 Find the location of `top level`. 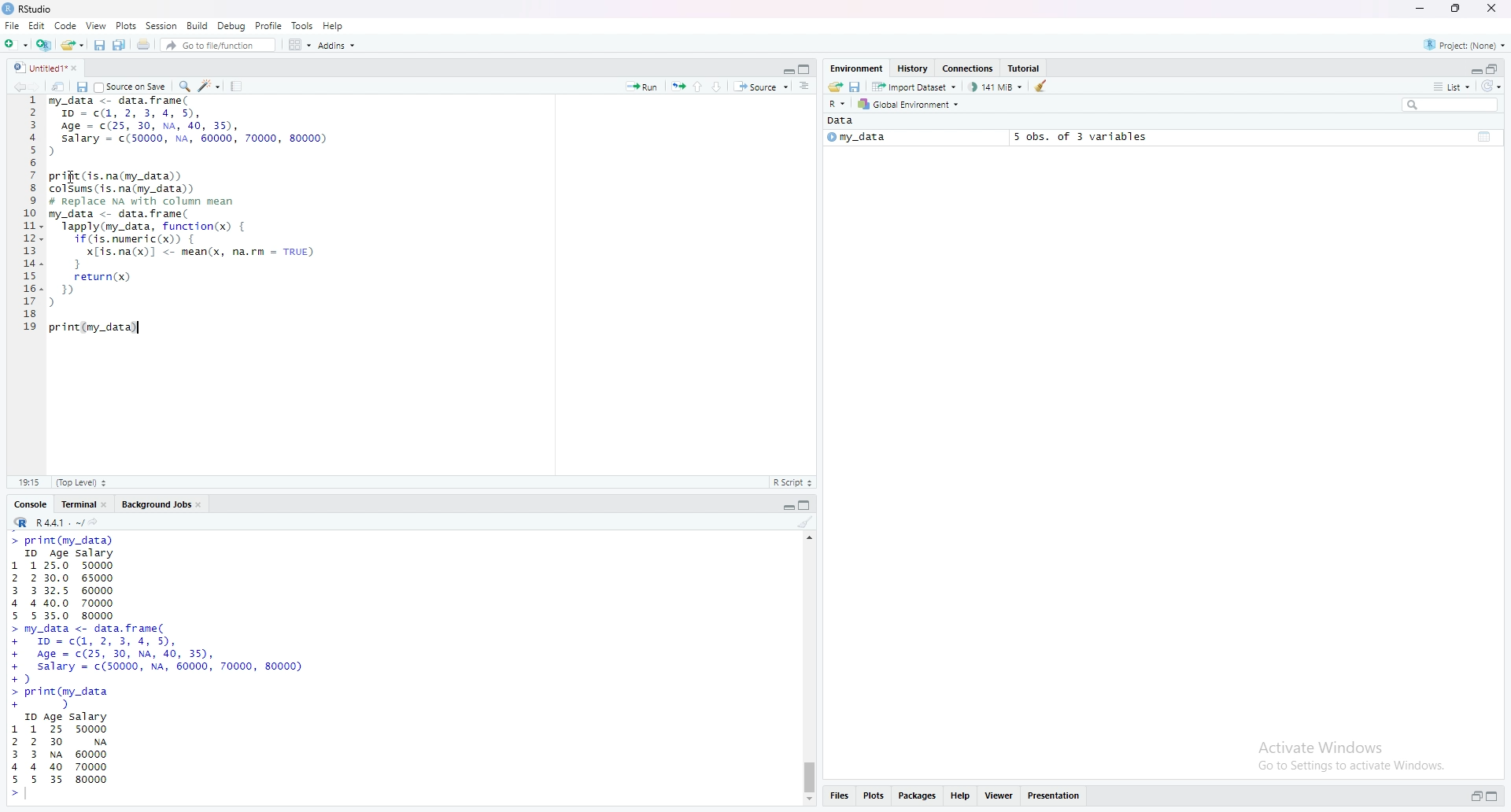

top level is located at coordinates (86, 481).